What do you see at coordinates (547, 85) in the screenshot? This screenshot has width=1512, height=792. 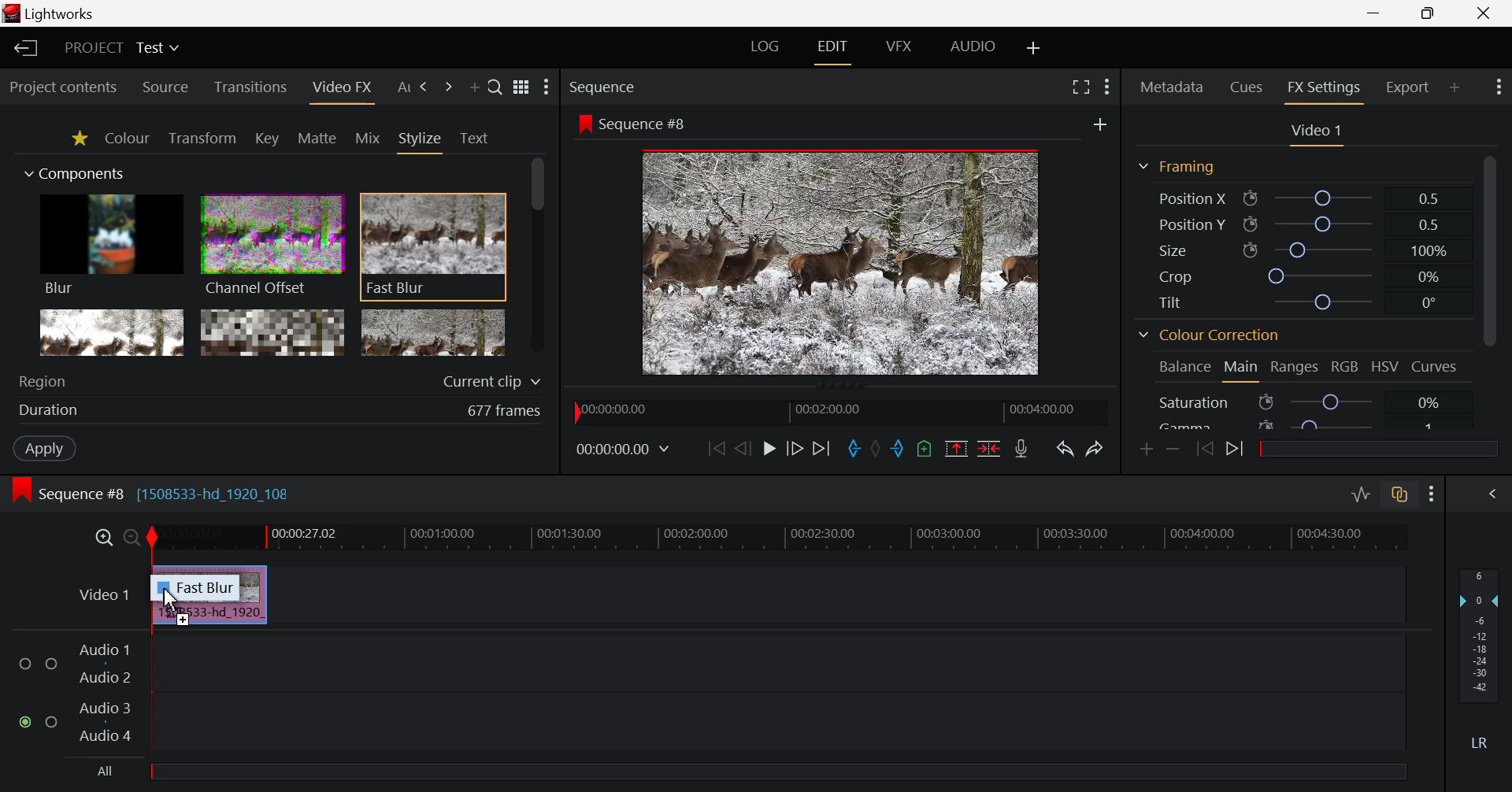 I see `Show Settings` at bounding box center [547, 85].